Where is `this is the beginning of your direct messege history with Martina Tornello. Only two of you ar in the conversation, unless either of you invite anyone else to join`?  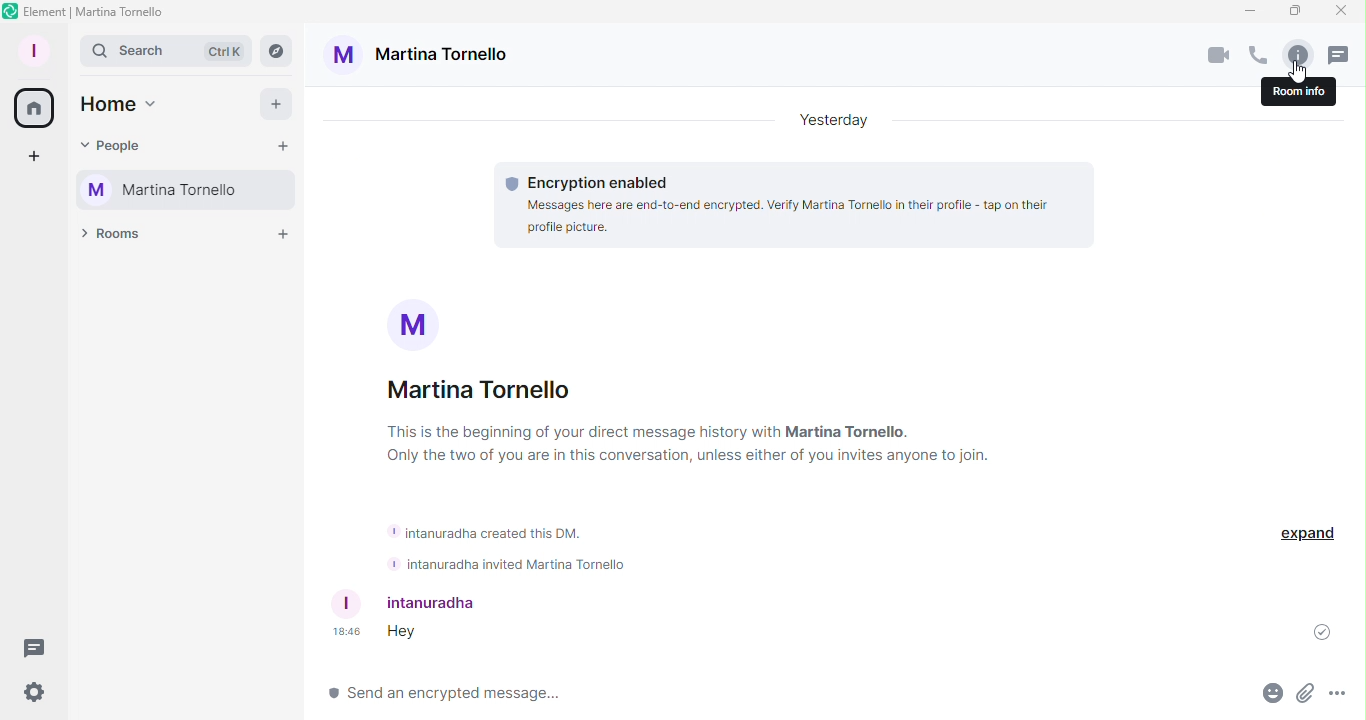
this is the beginning of your direct messege history with Martina Tornello. Only two of you ar in the conversation, unless either of you invite anyone else to join is located at coordinates (684, 444).